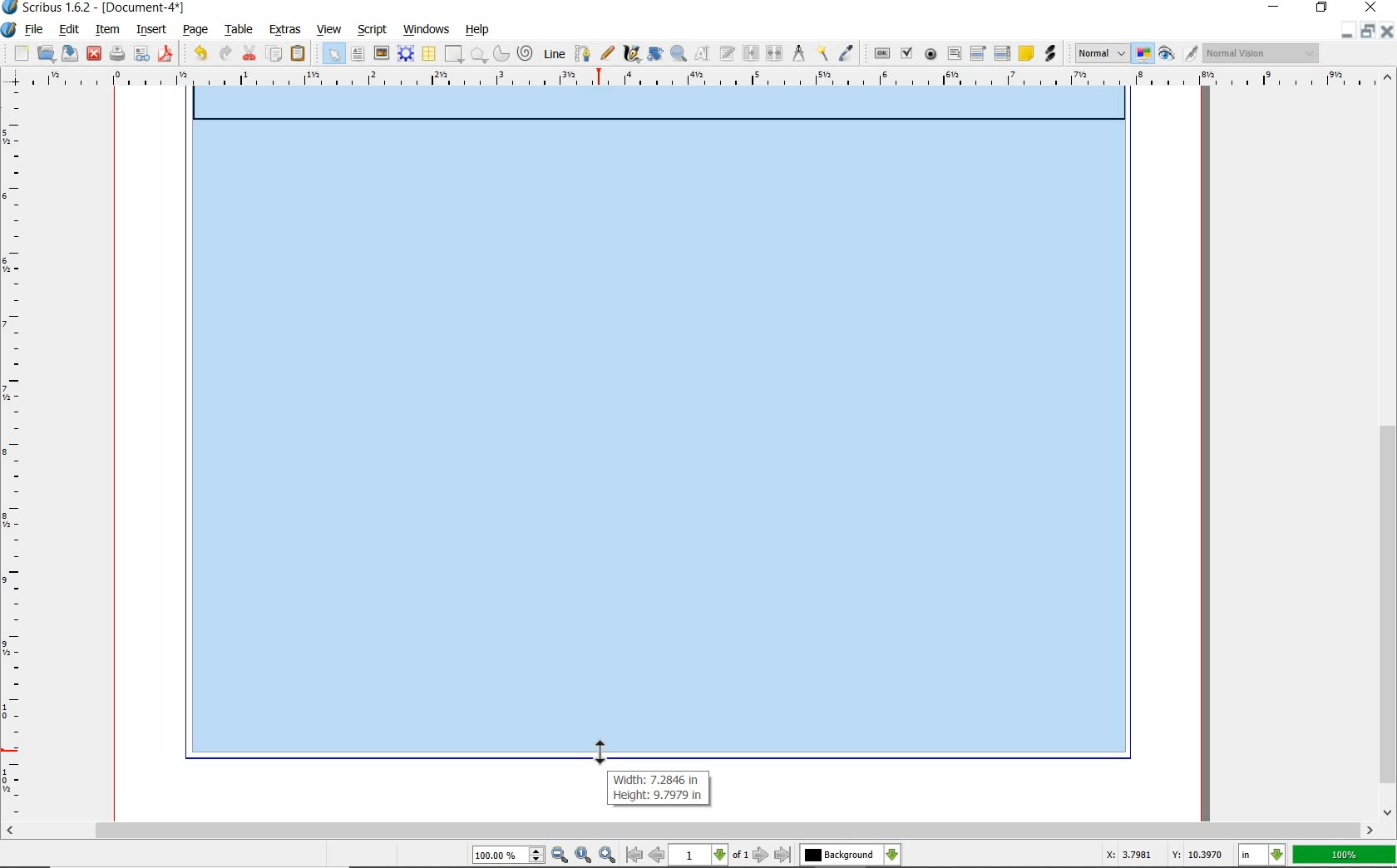  What do you see at coordinates (1387, 445) in the screenshot?
I see `scrollbar` at bounding box center [1387, 445].